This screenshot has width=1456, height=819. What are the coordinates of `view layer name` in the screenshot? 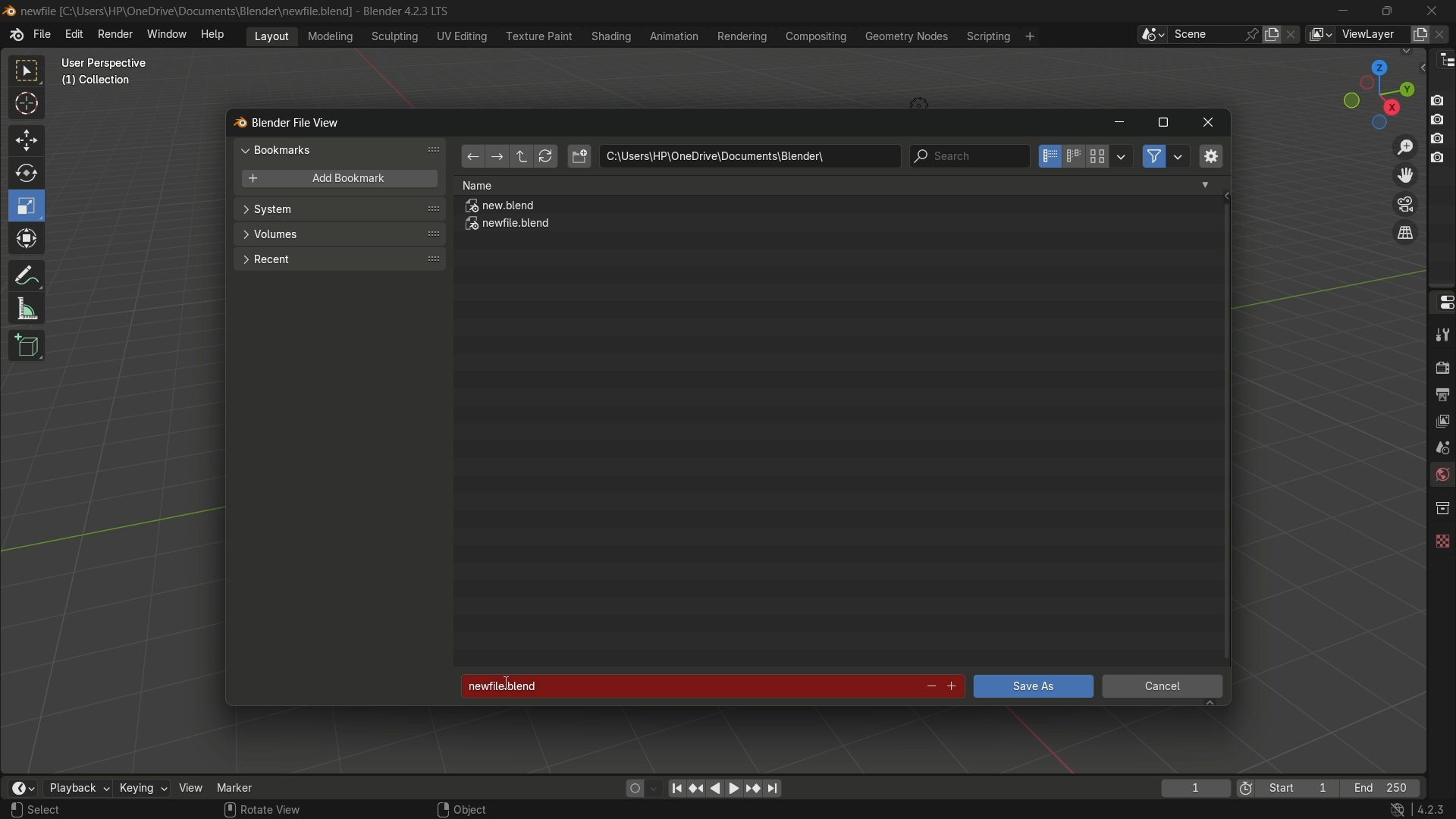 It's located at (1371, 35).